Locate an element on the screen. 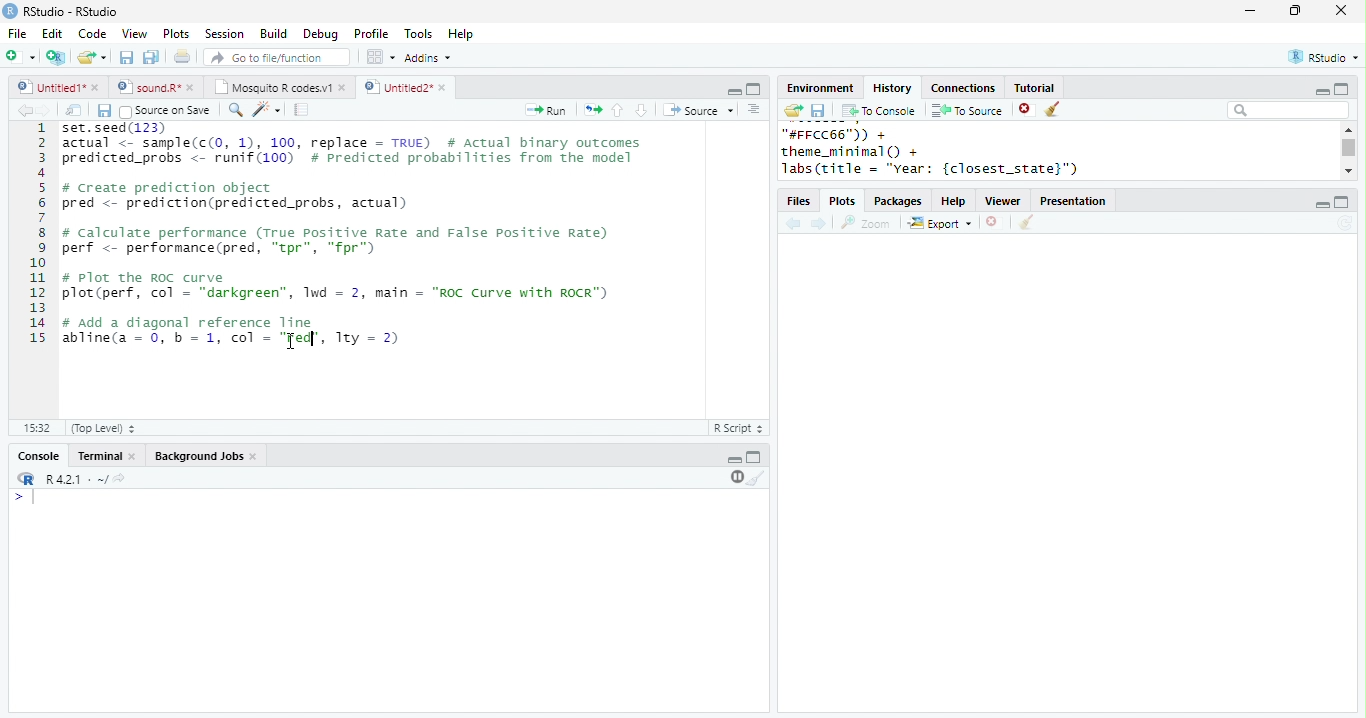 The width and height of the screenshot is (1366, 718). File is located at coordinates (17, 34).